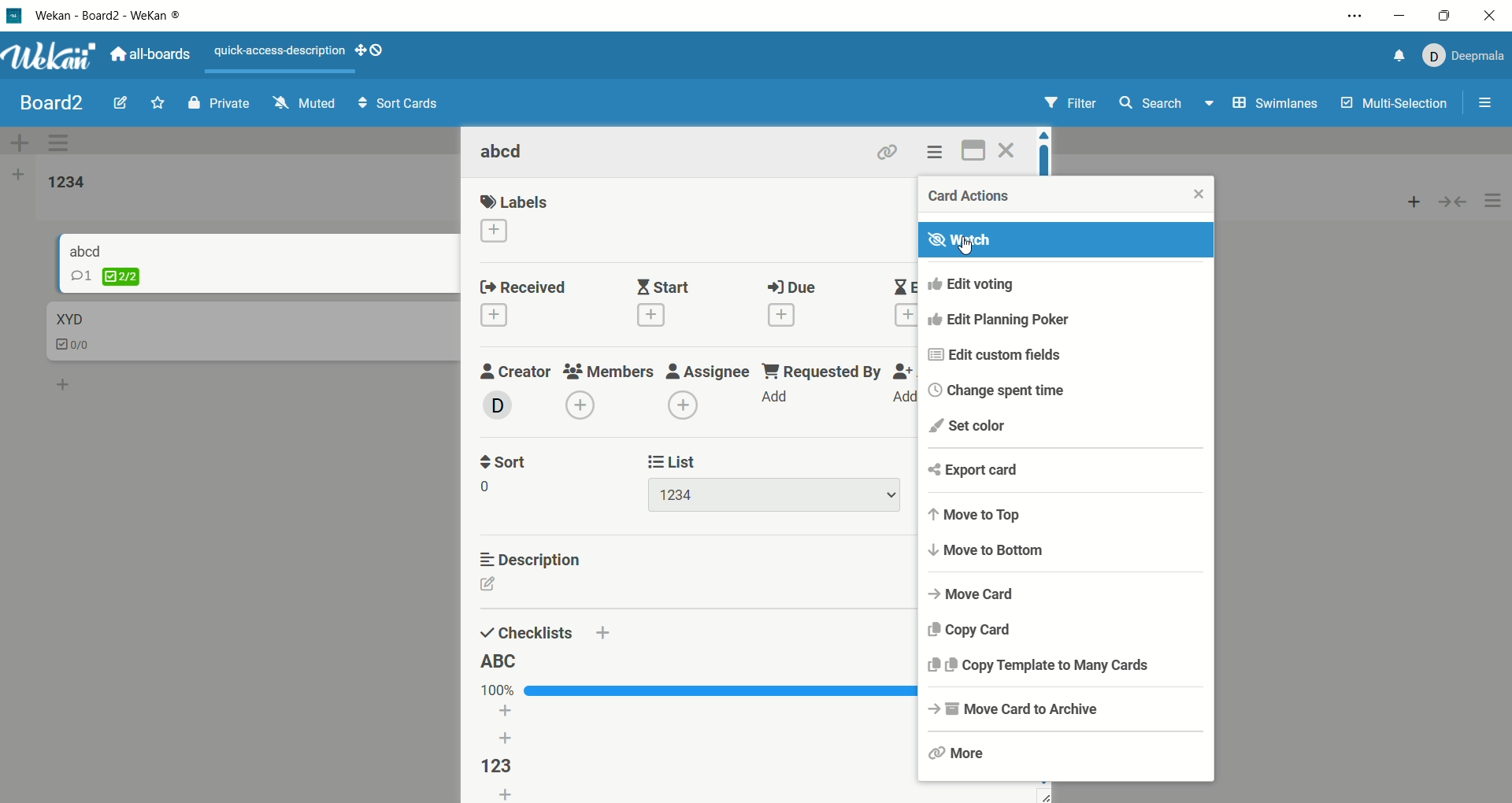  I want to click on all boards, so click(157, 56).